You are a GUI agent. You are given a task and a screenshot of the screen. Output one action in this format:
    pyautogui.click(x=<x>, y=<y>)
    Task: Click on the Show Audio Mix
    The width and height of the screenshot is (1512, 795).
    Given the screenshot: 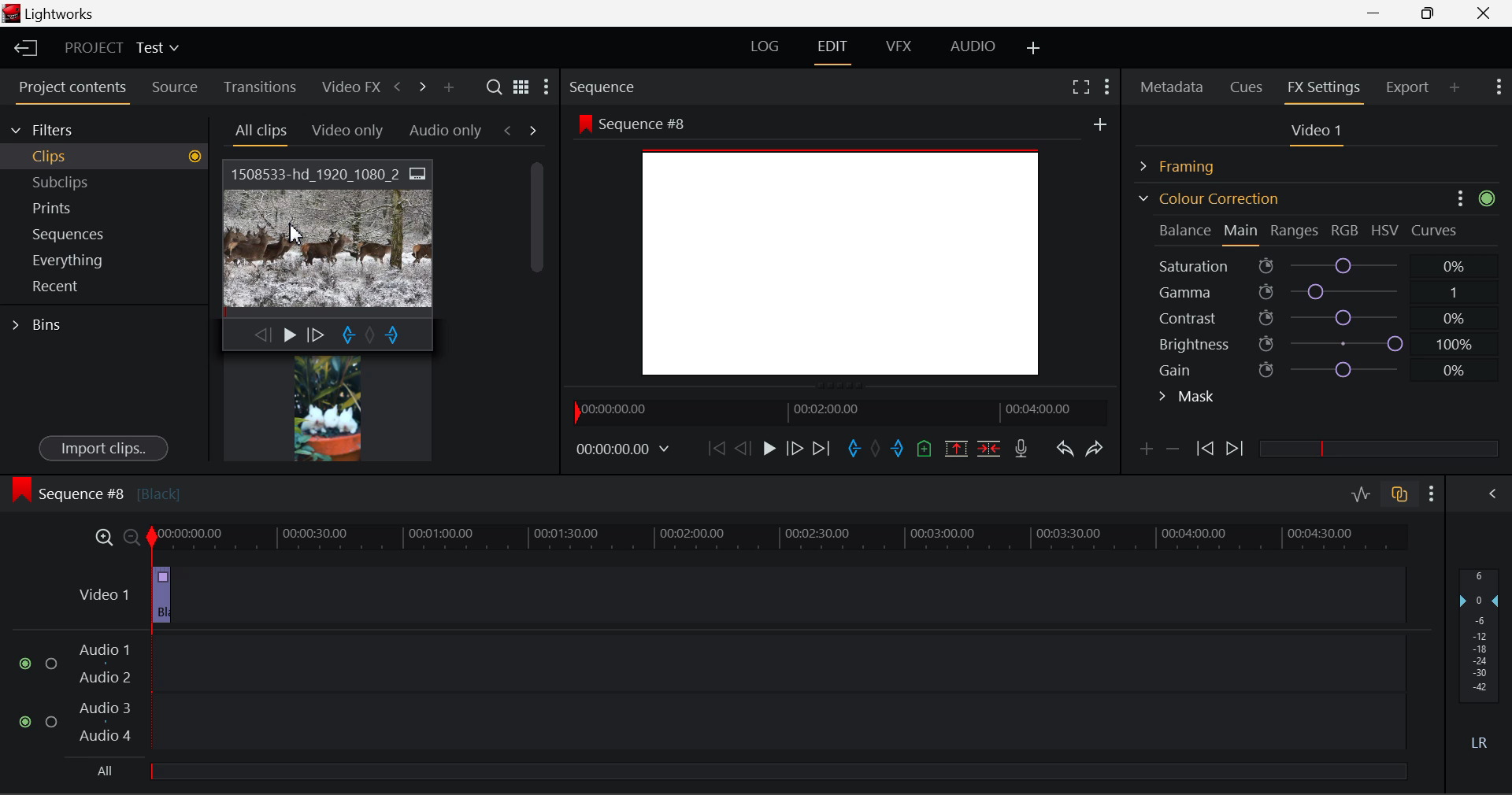 What is the action you would take?
    pyautogui.click(x=1494, y=492)
    